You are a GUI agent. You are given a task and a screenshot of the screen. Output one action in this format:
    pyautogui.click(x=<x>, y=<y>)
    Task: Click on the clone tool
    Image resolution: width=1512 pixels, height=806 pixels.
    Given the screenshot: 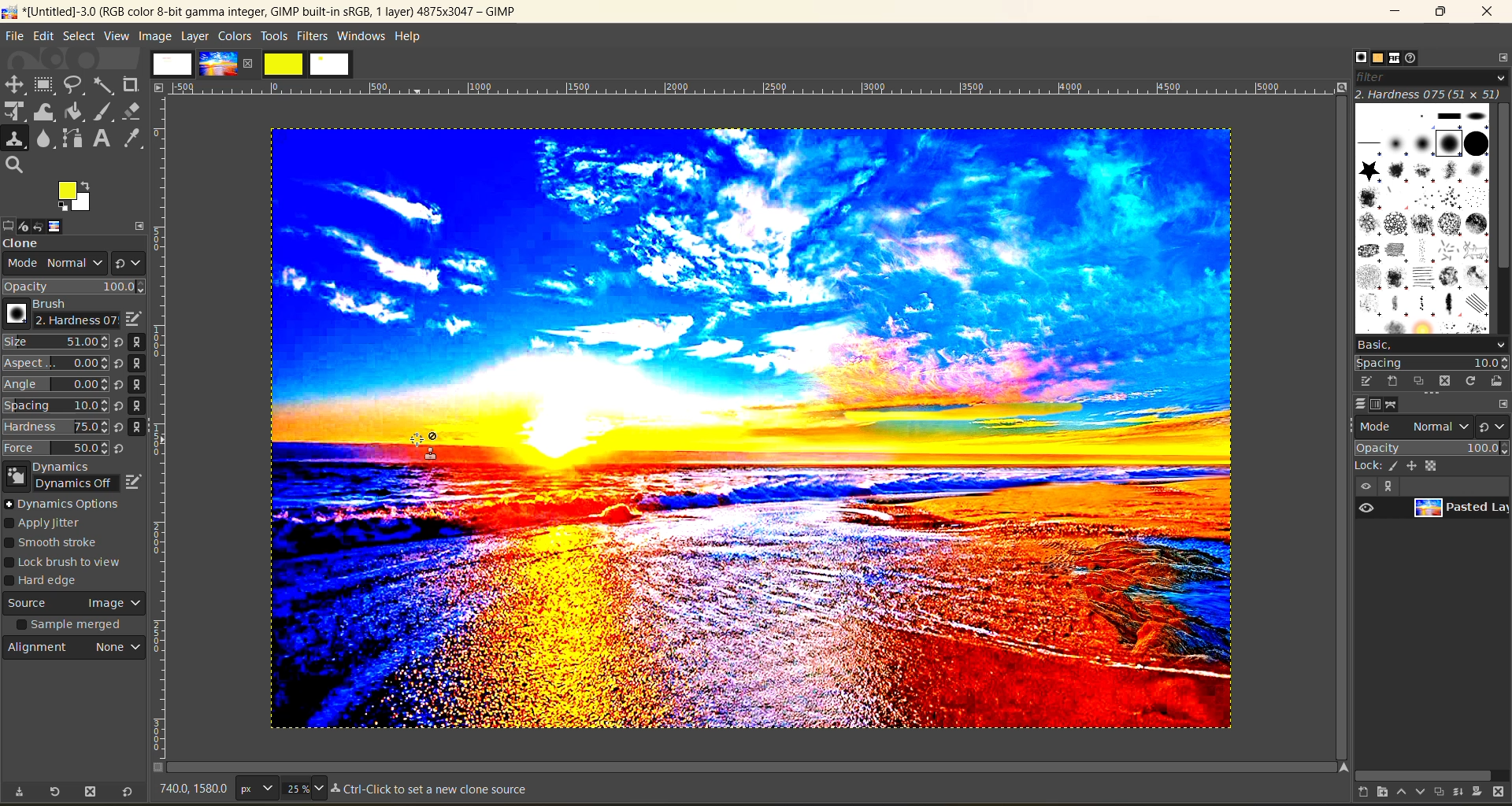 What is the action you would take?
    pyautogui.click(x=15, y=139)
    